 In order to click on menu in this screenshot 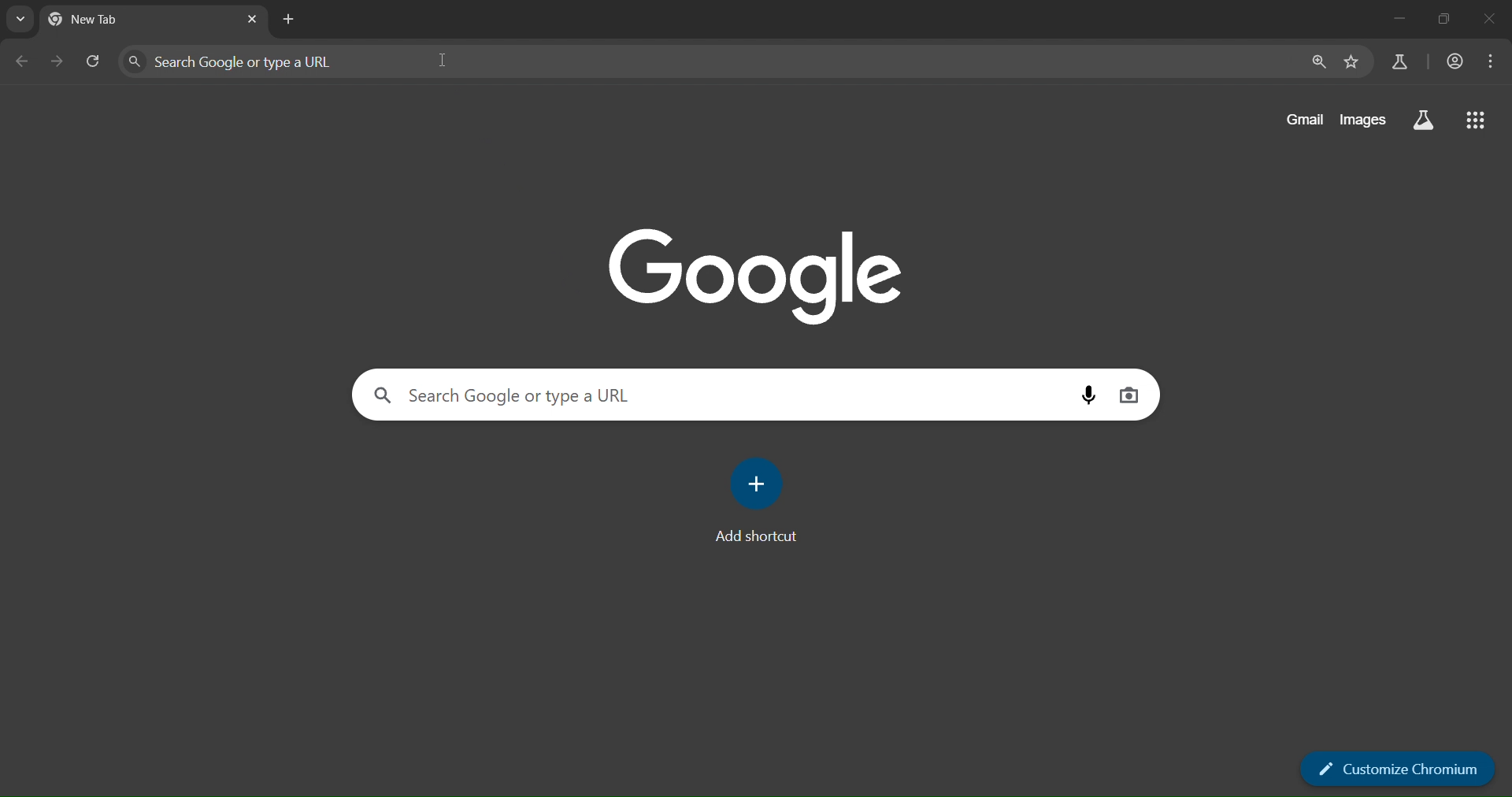, I will do `click(1494, 61)`.